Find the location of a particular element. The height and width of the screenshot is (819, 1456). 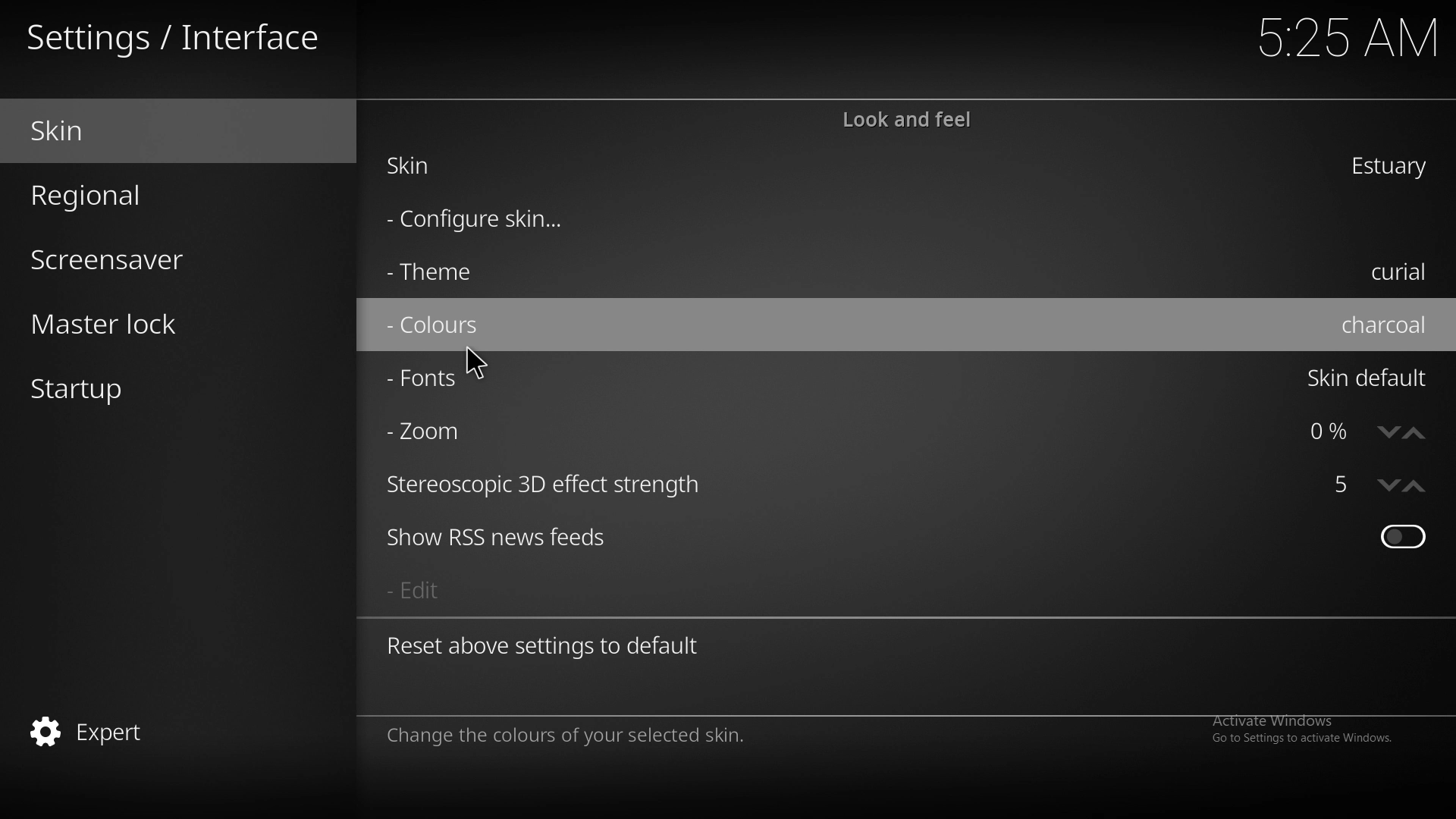

expert is located at coordinates (121, 733).